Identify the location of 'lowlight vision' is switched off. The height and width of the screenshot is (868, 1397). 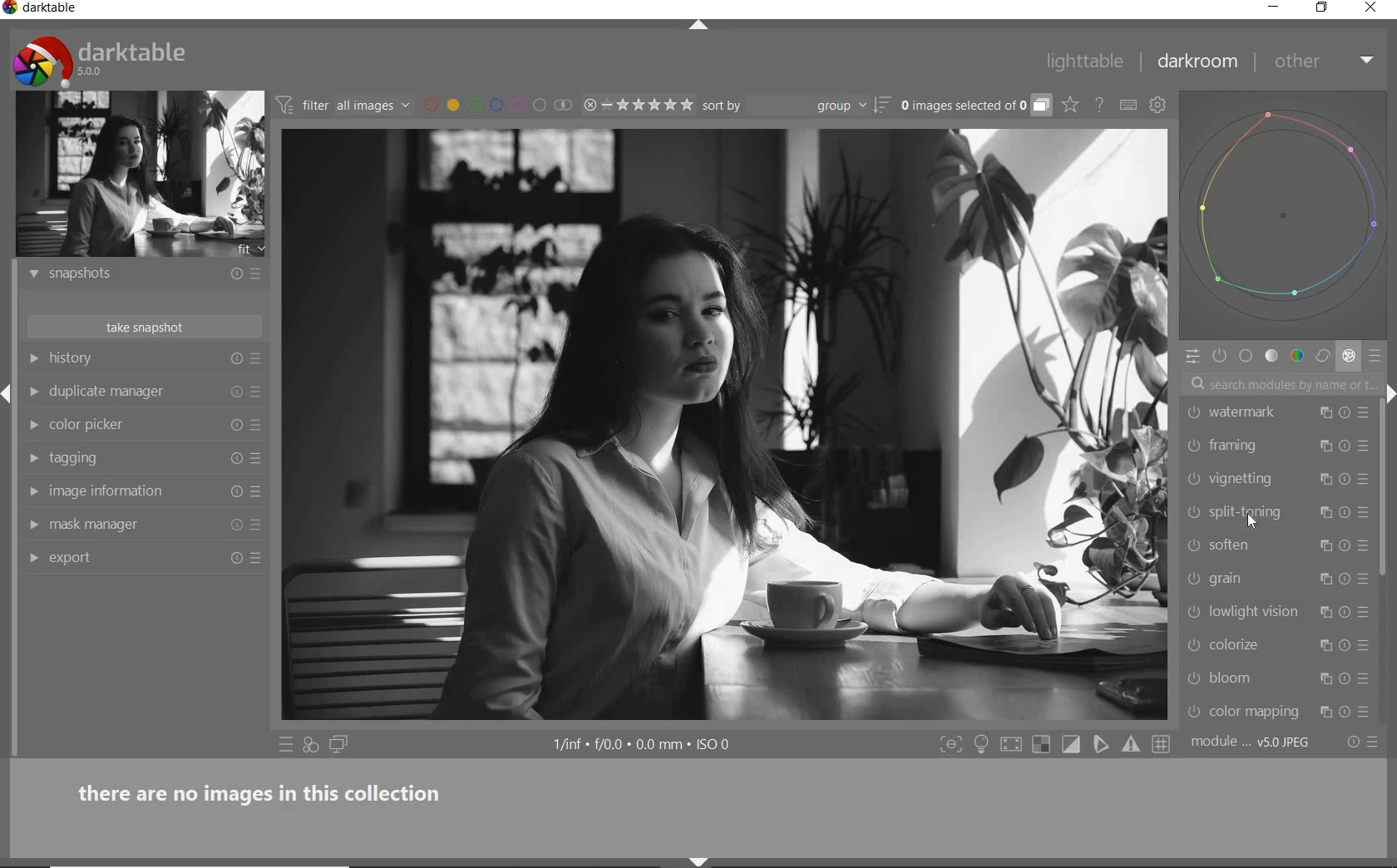
(1194, 610).